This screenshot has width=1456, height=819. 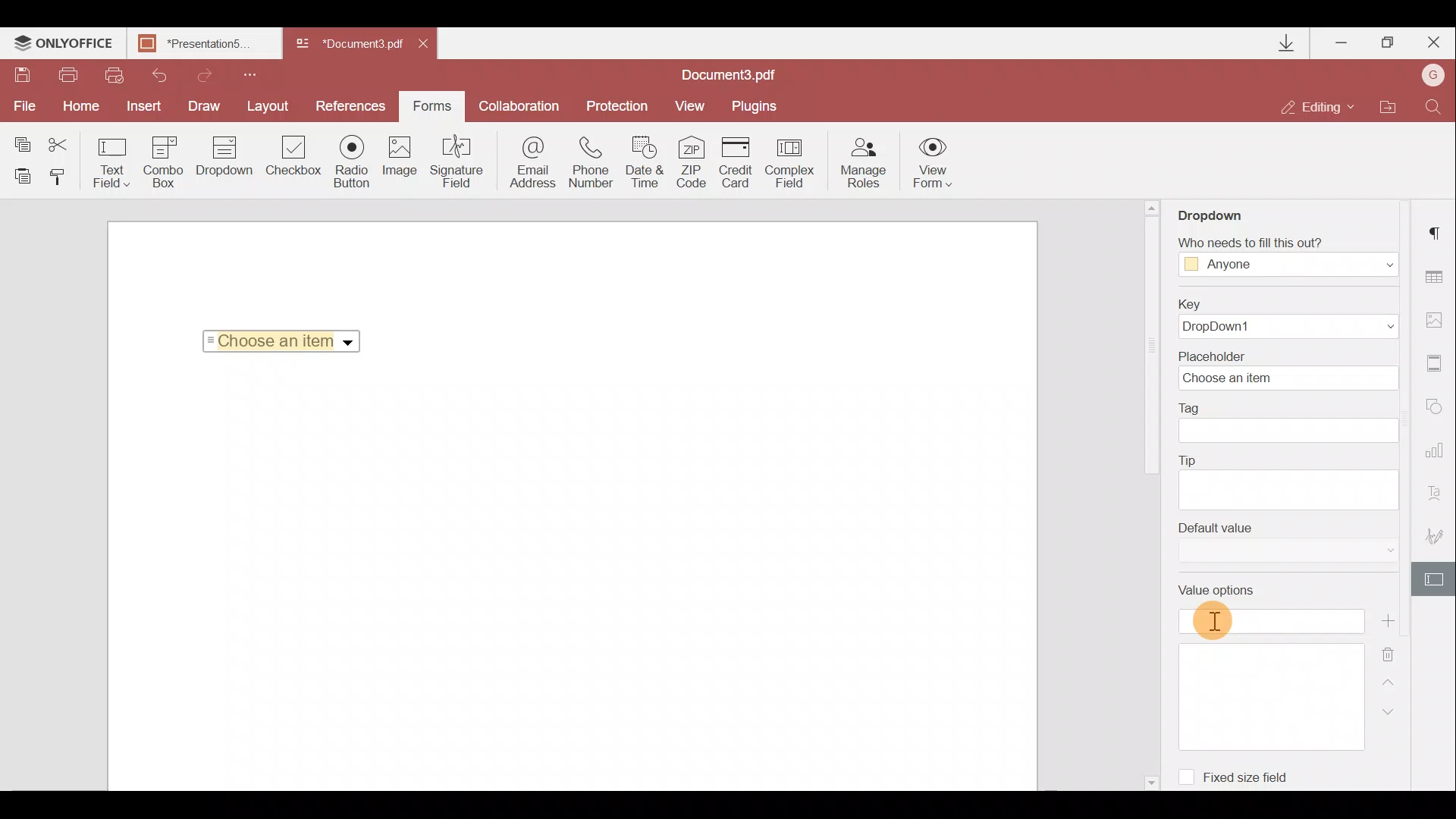 I want to click on Shapes settings, so click(x=1437, y=409).